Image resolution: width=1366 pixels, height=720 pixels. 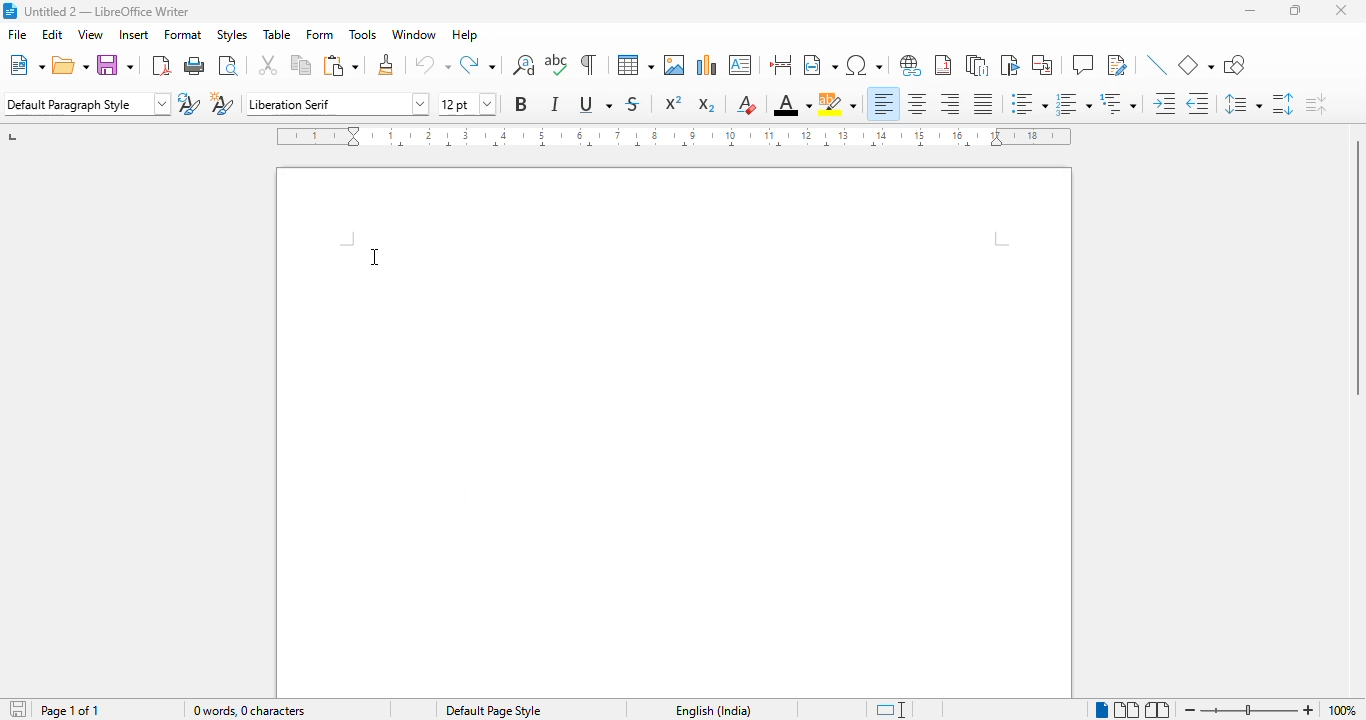 I want to click on toggle ordered list, so click(x=1074, y=104).